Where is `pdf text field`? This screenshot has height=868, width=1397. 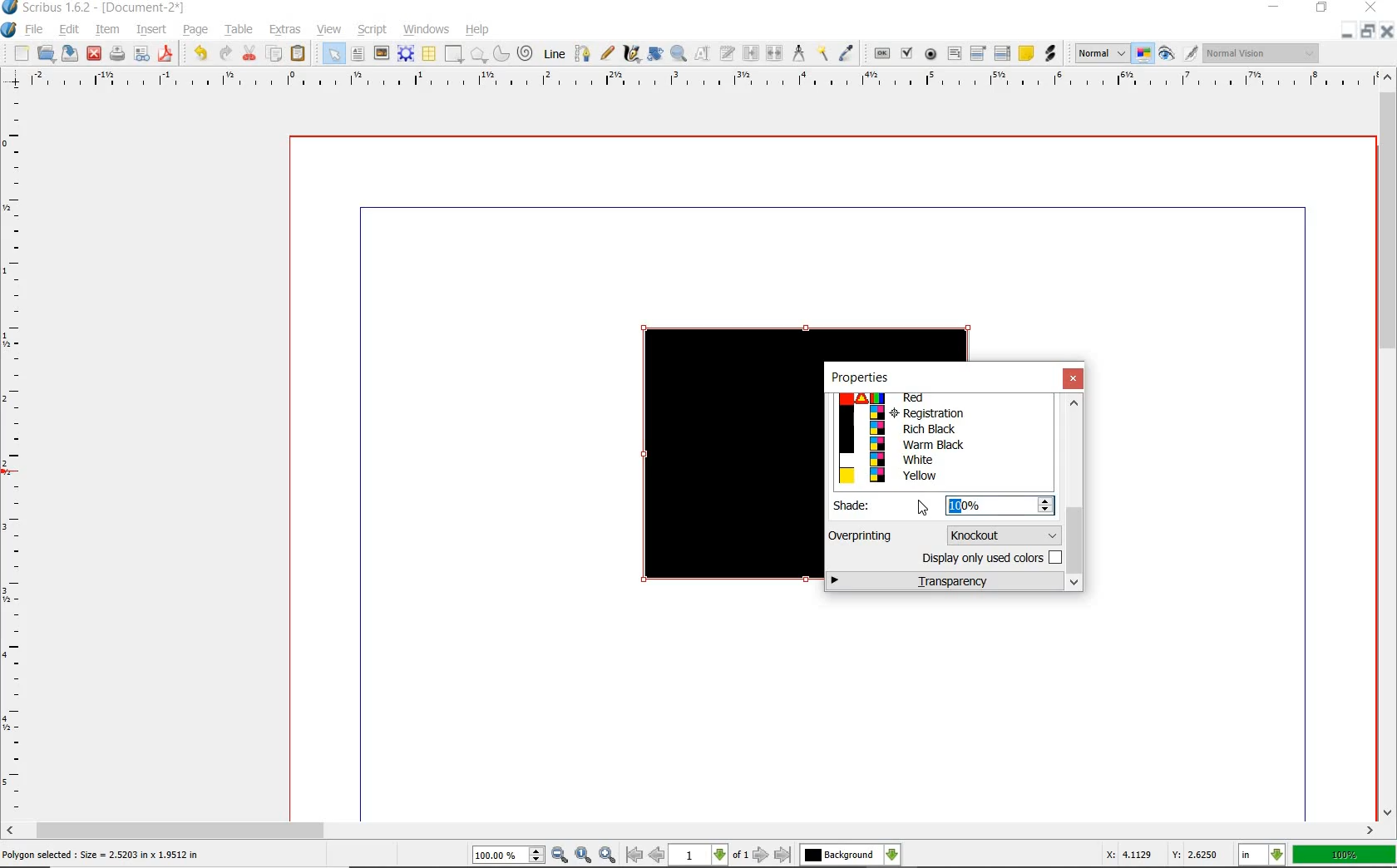 pdf text field is located at coordinates (955, 54).